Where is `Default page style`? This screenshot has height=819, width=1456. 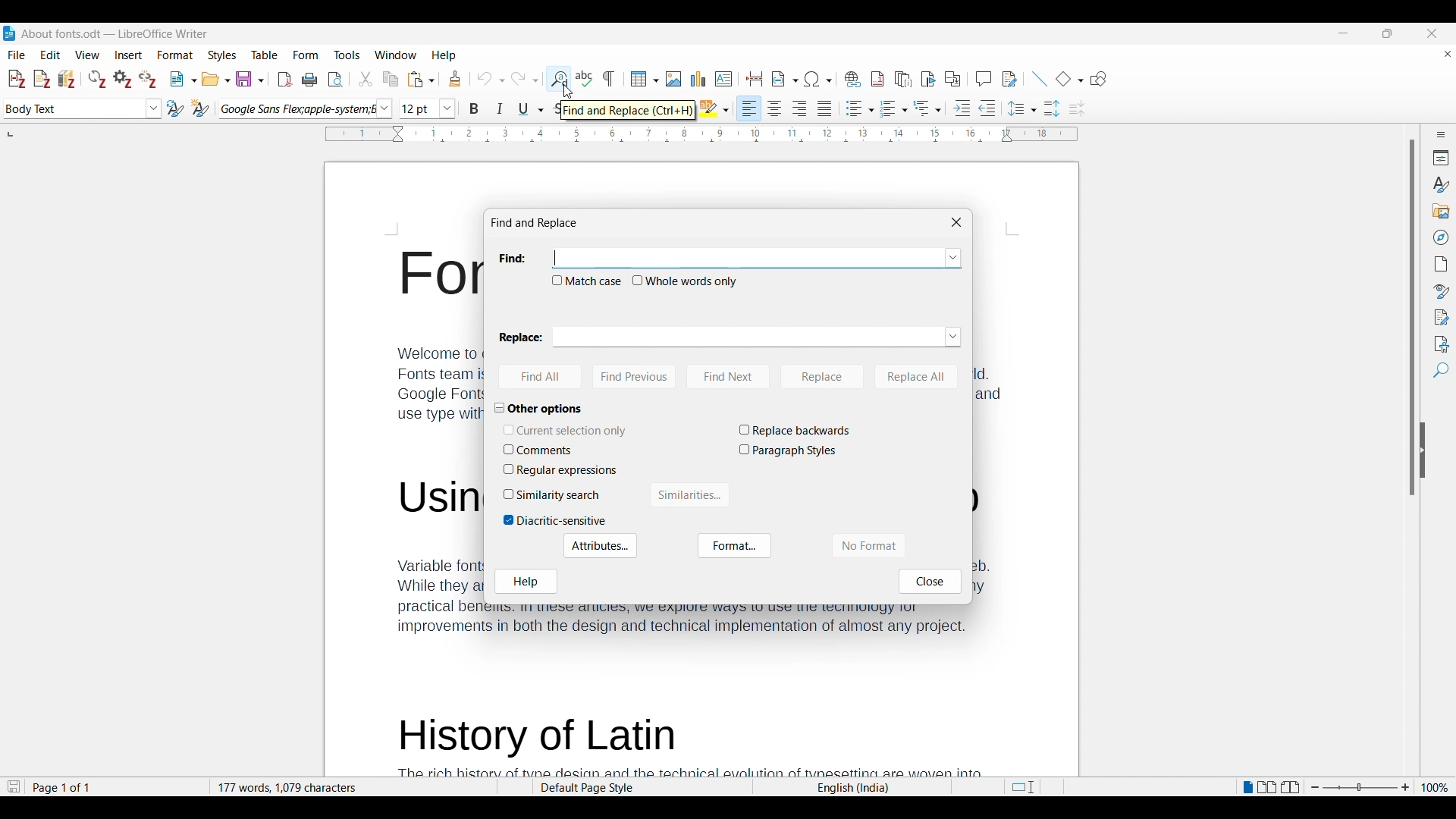
Default page style is located at coordinates (641, 788).